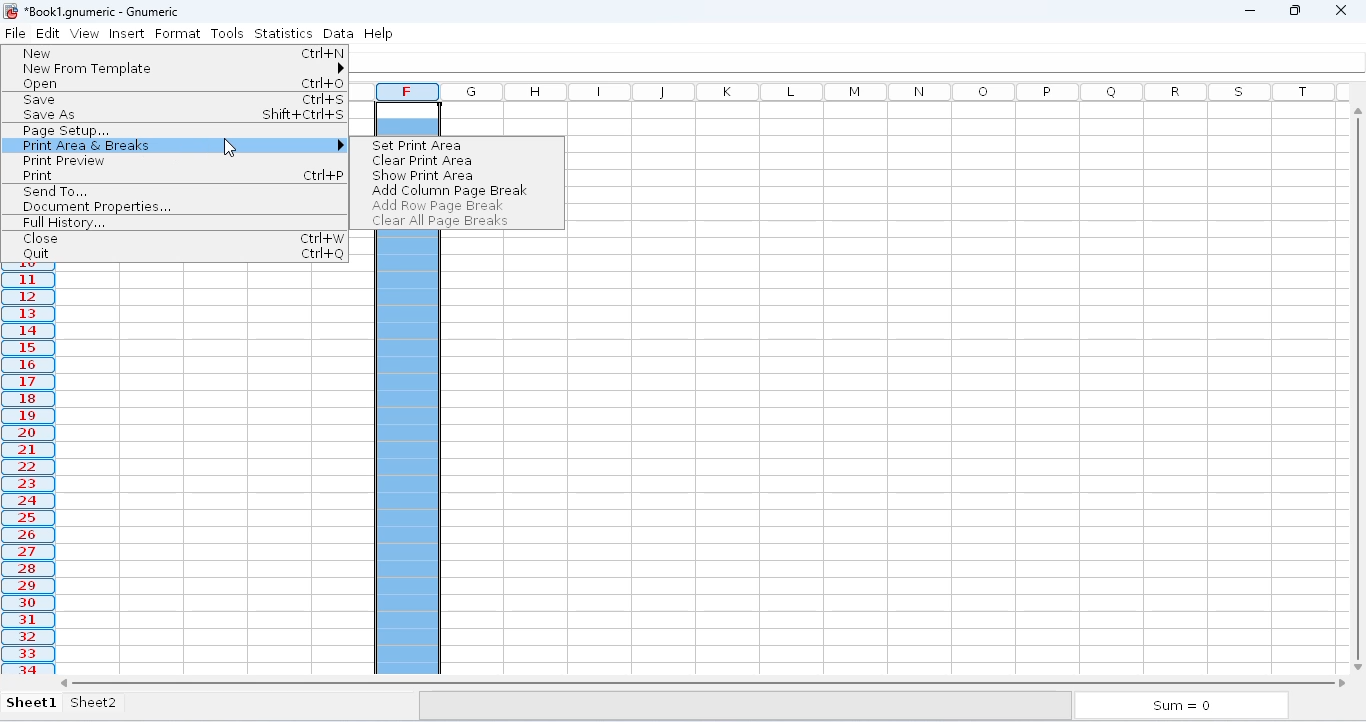  Describe the element at coordinates (38, 84) in the screenshot. I see `open` at that location.